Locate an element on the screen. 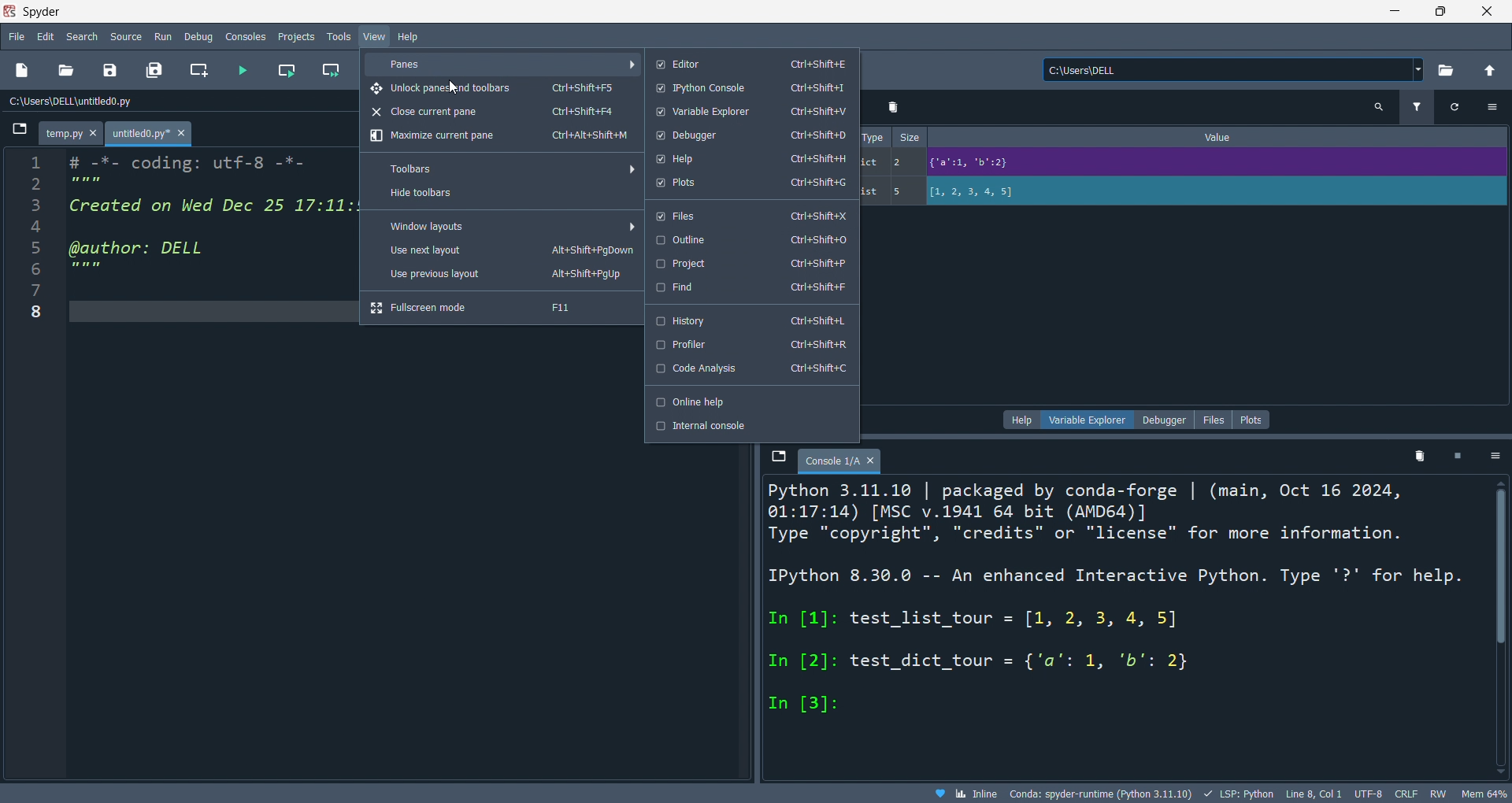 This screenshot has width=1512, height=803. help is located at coordinates (409, 36).